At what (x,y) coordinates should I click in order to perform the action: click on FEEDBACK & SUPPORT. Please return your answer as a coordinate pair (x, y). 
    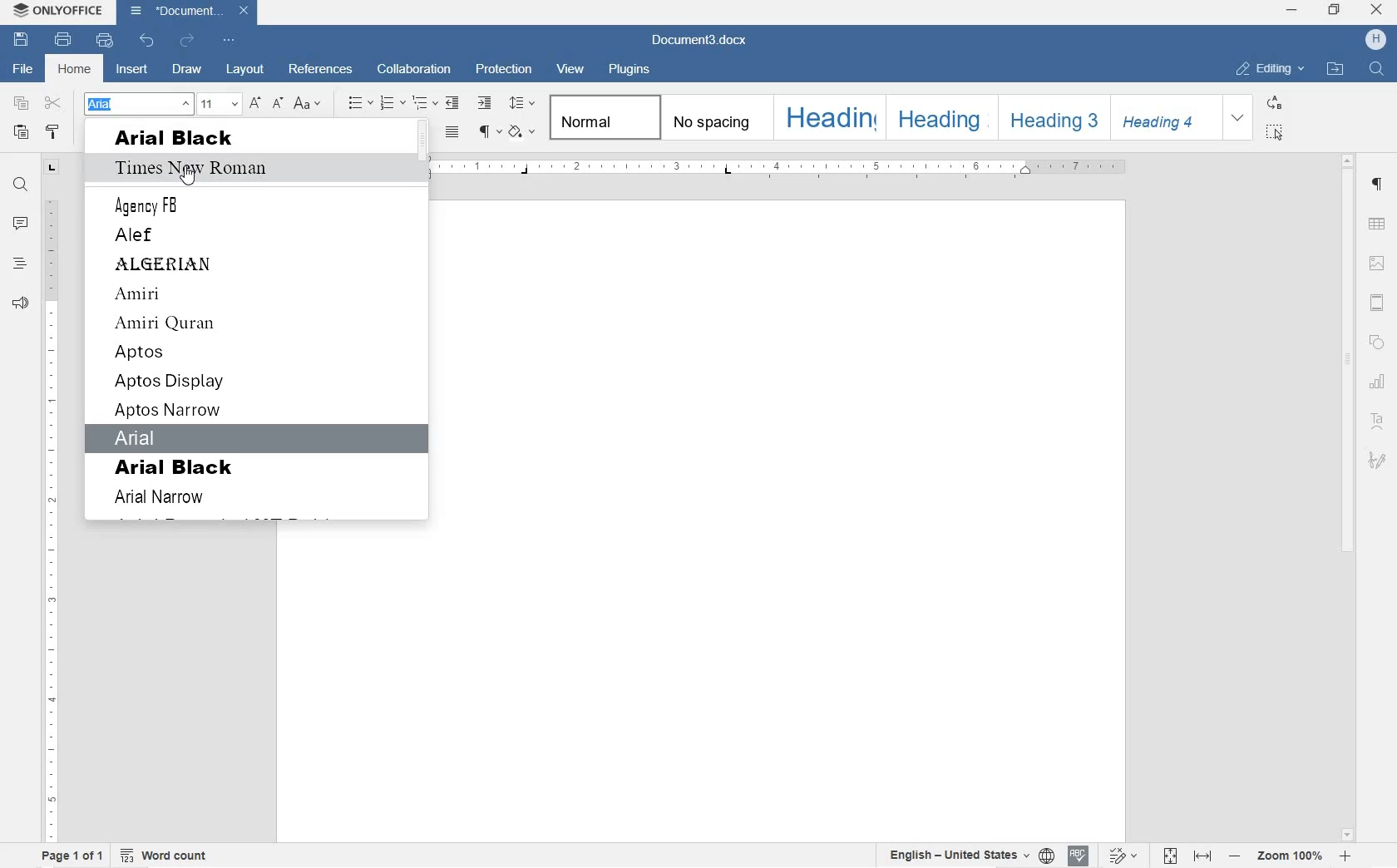
    Looking at the image, I should click on (22, 303).